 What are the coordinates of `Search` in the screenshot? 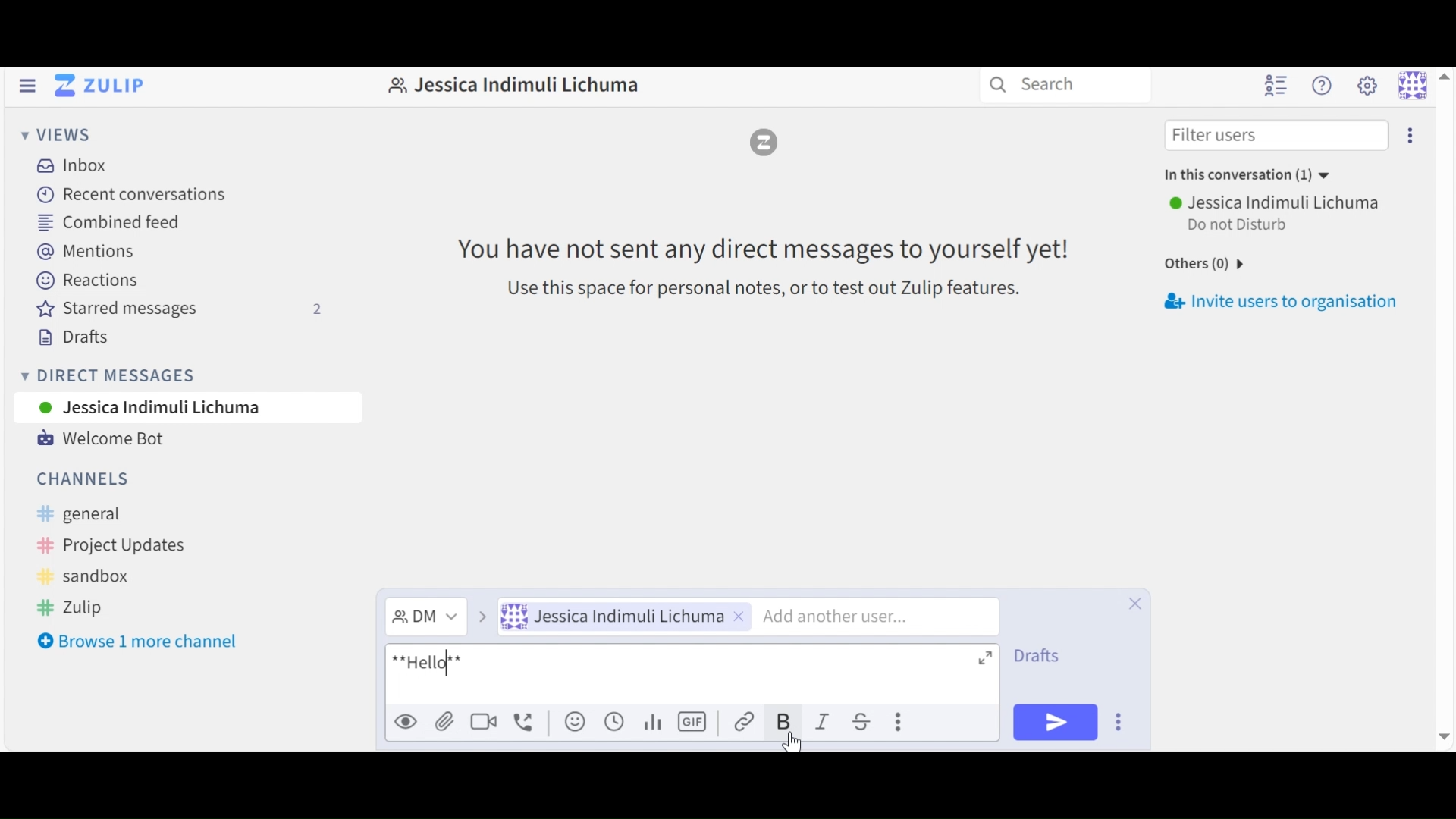 It's located at (1033, 84).